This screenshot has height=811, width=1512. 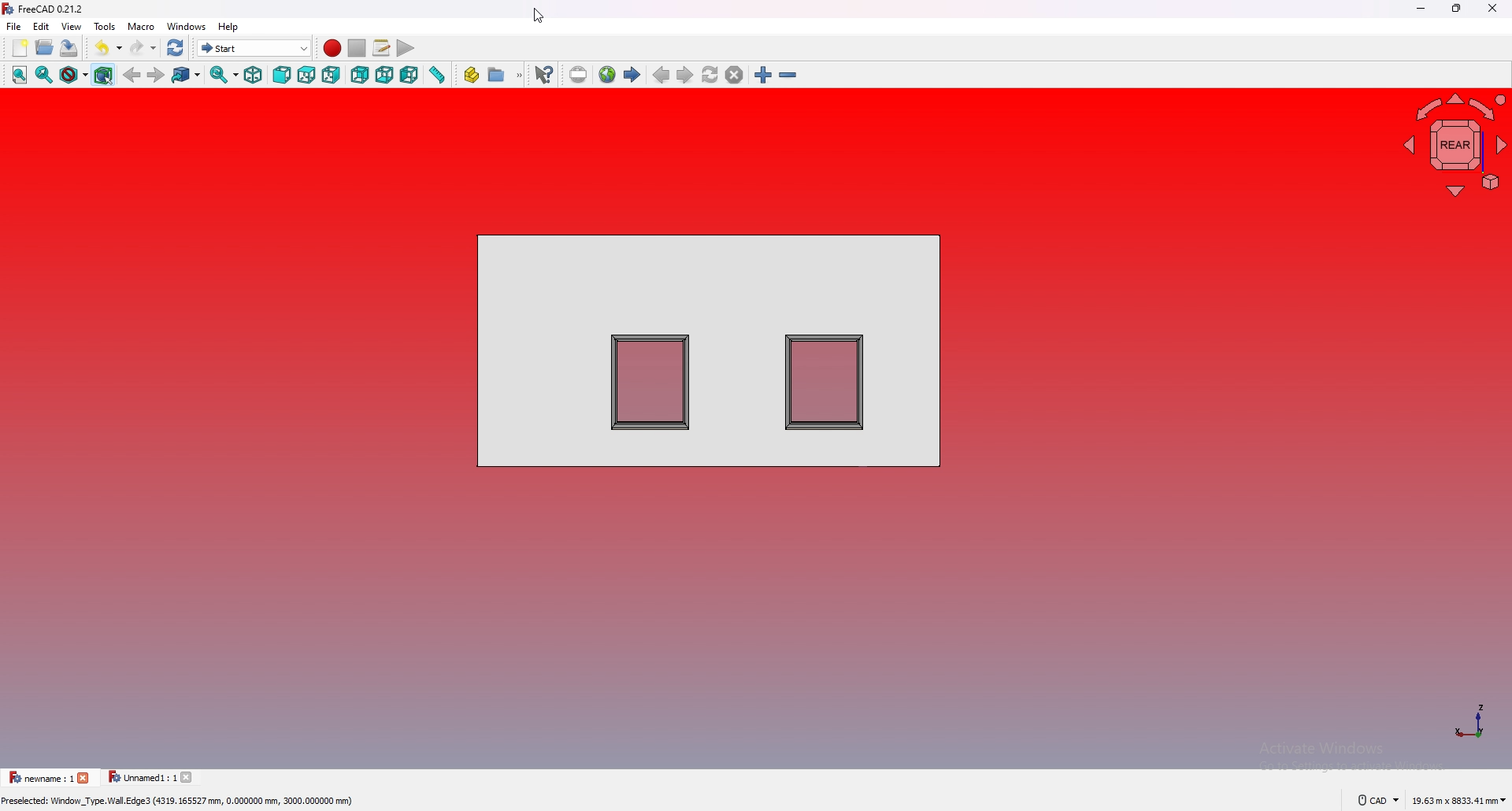 I want to click on view, so click(x=72, y=25).